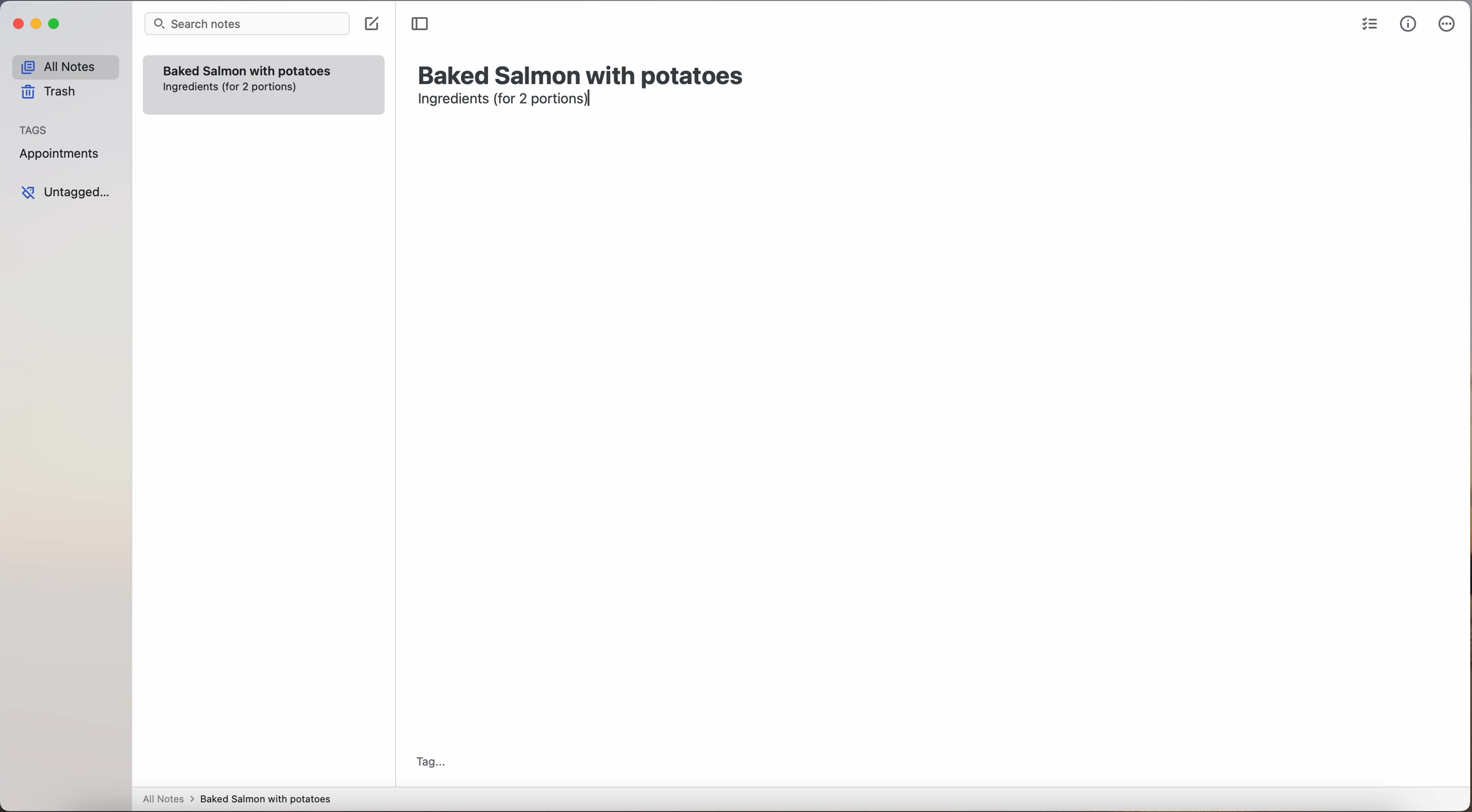 The width and height of the screenshot is (1472, 812). I want to click on toggle sidebar, so click(421, 25).